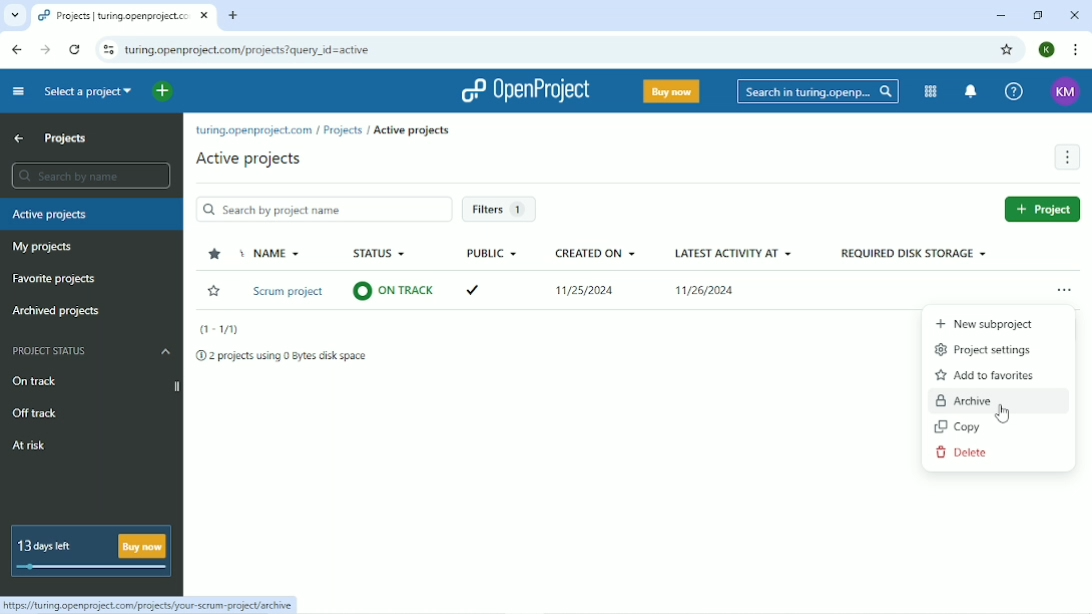 Image resolution: width=1092 pixels, height=614 pixels. I want to click on My projects, so click(42, 248).